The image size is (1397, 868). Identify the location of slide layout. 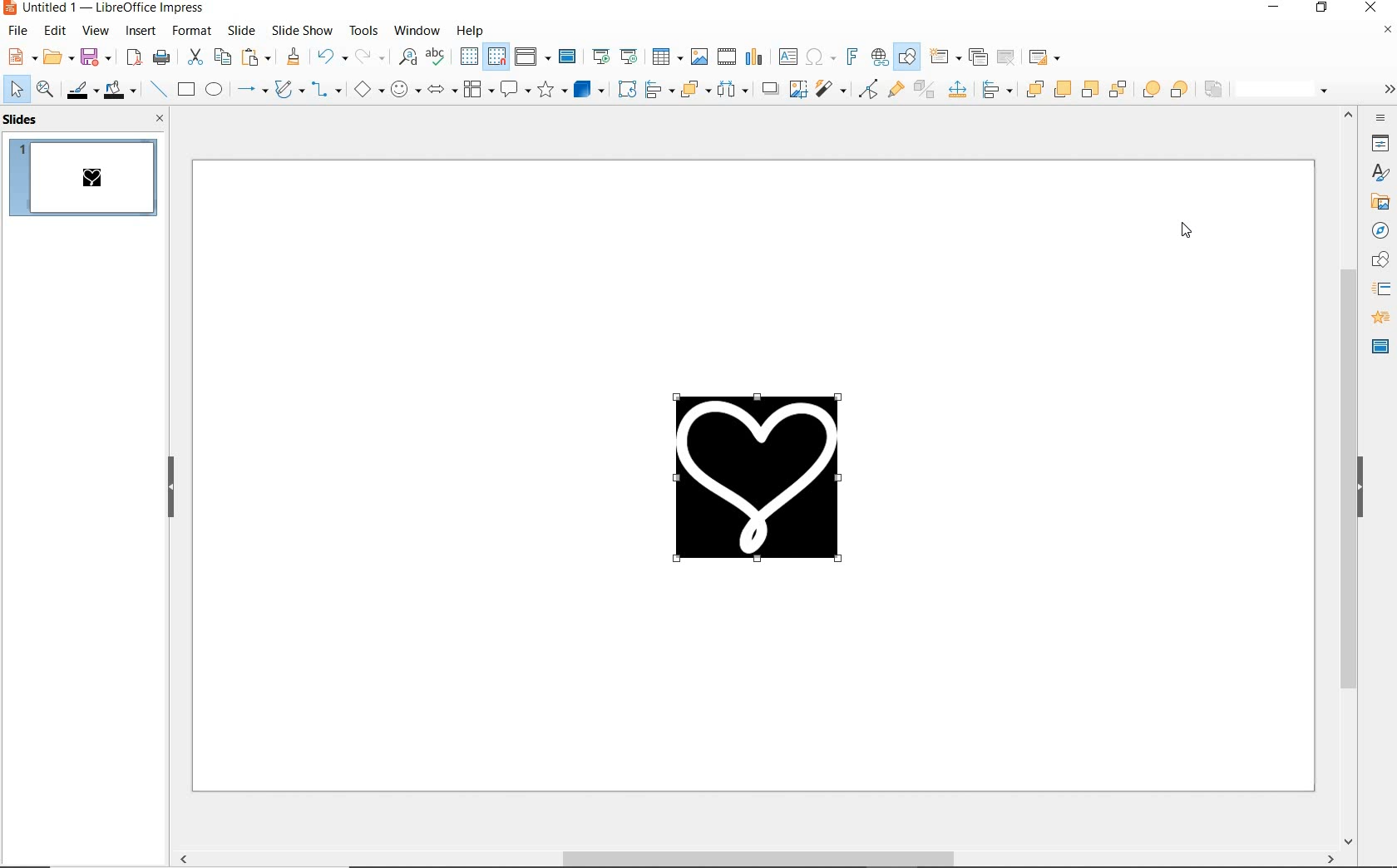
(1046, 57).